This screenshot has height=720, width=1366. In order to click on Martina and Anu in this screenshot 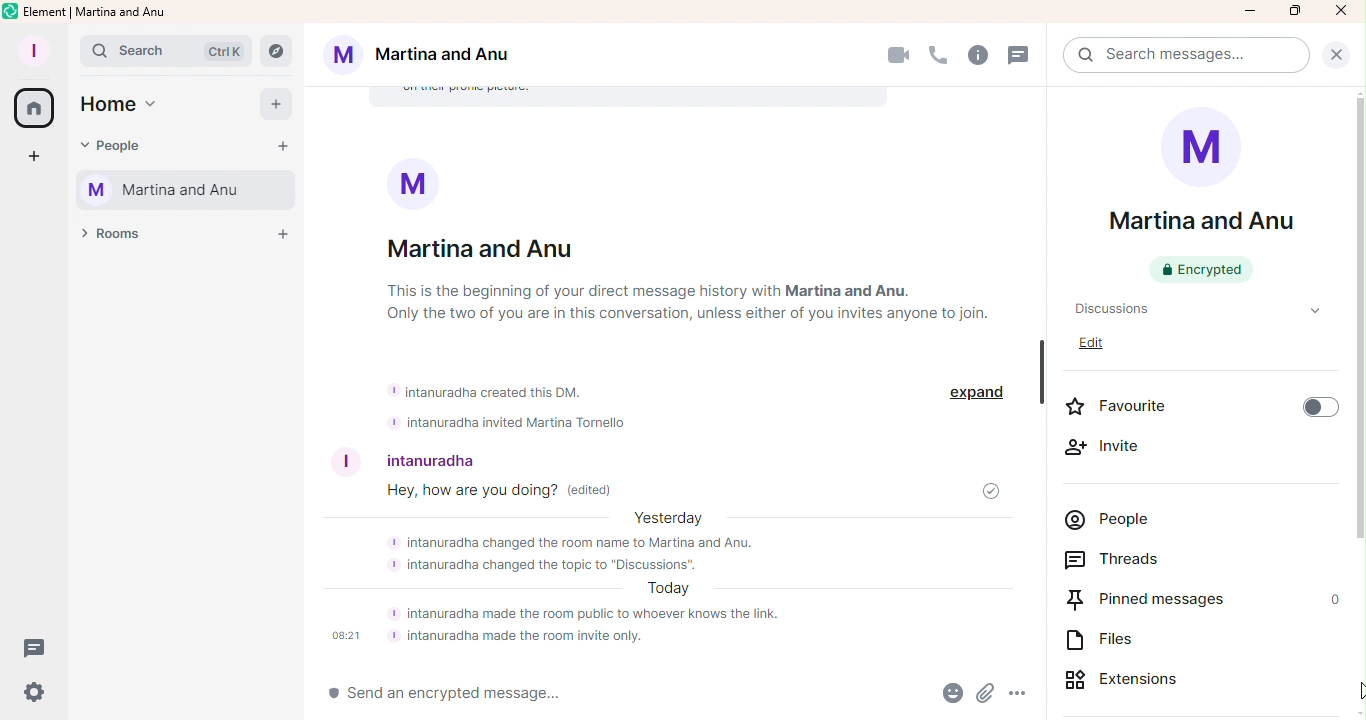, I will do `click(187, 190)`.